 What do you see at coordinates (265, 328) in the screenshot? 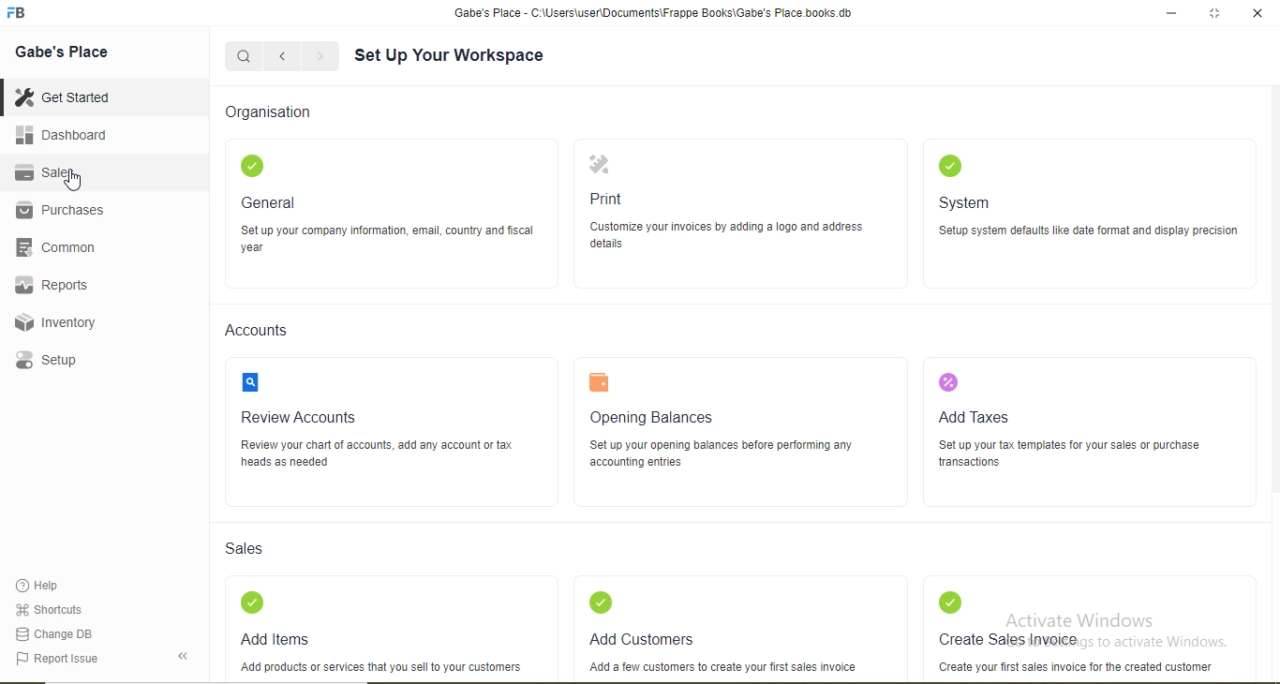
I see `Accounts` at bounding box center [265, 328].